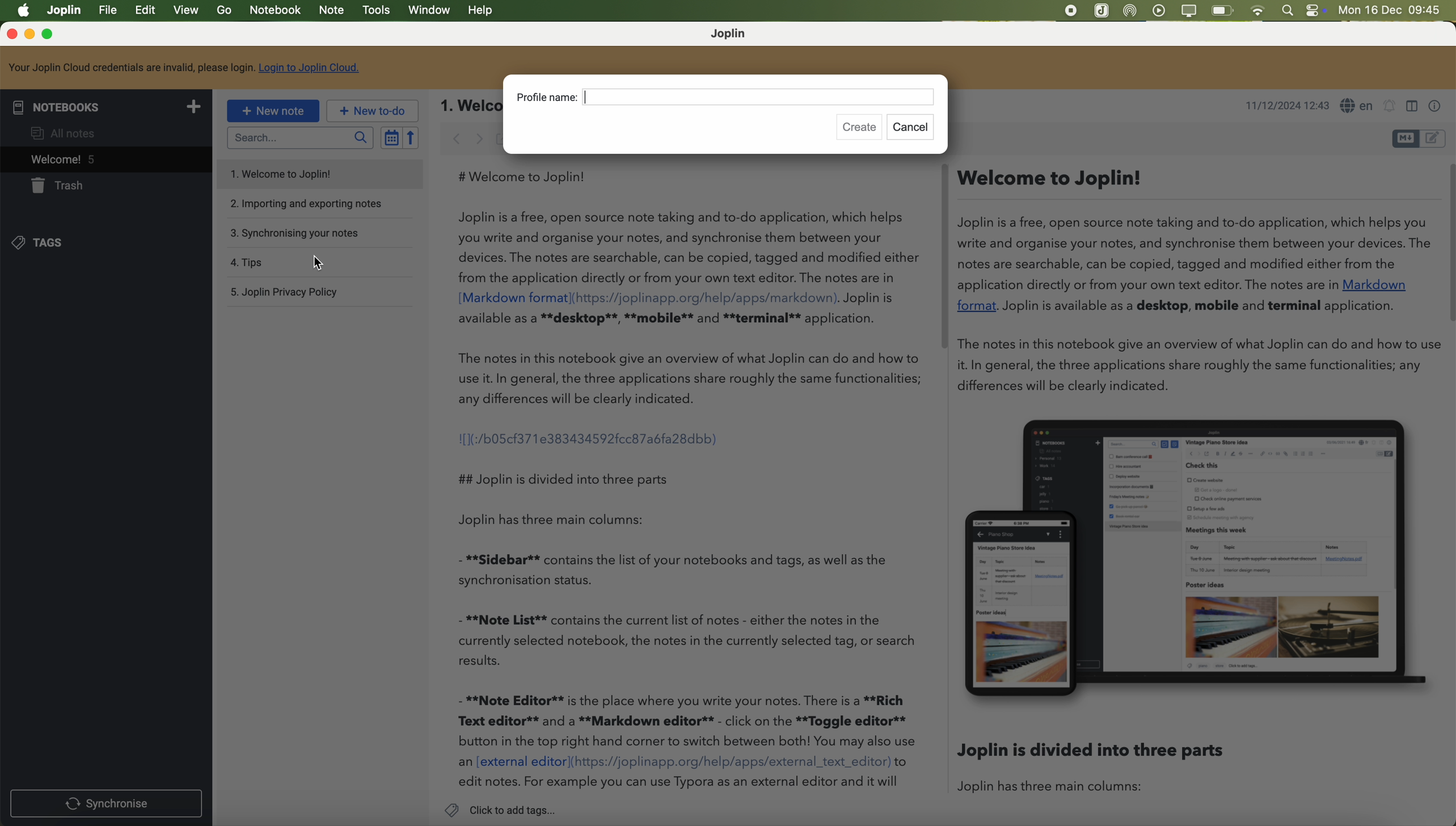 This screenshot has height=826, width=1456. I want to click on edit notes. For example you can use Typora as an external editor and it will, so click(680, 783).